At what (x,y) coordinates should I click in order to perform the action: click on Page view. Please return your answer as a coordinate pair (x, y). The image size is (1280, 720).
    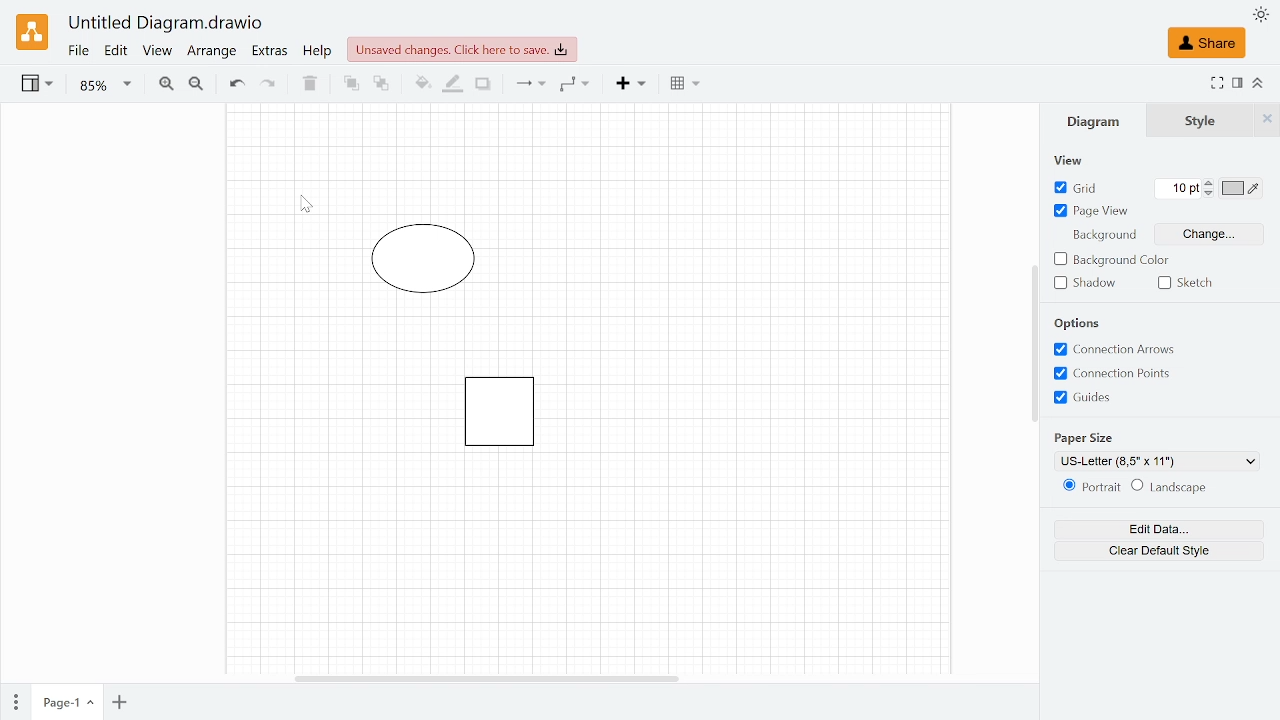
    Looking at the image, I should click on (1090, 212).